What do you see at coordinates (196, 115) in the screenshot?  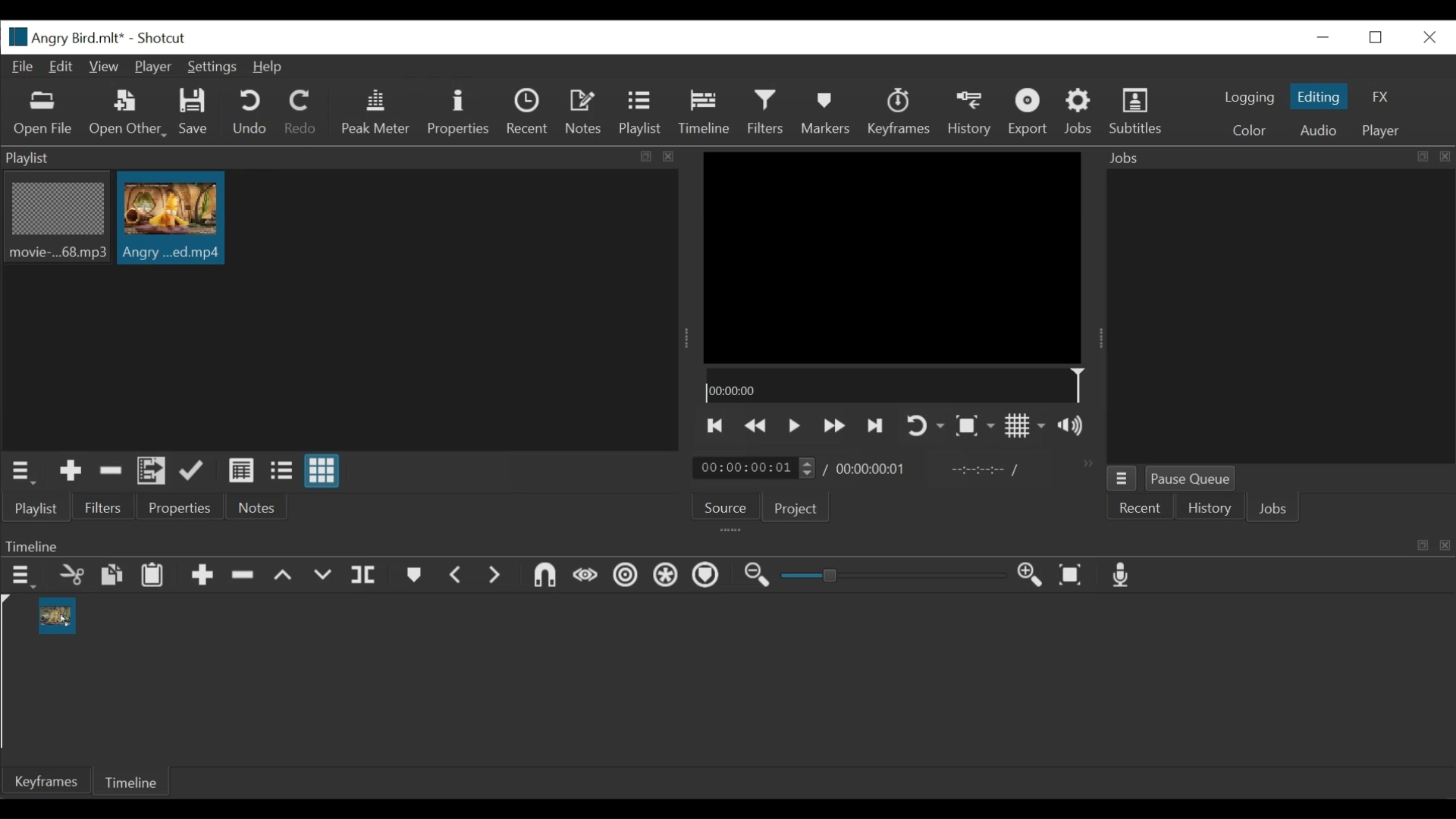 I see `Save` at bounding box center [196, 115].